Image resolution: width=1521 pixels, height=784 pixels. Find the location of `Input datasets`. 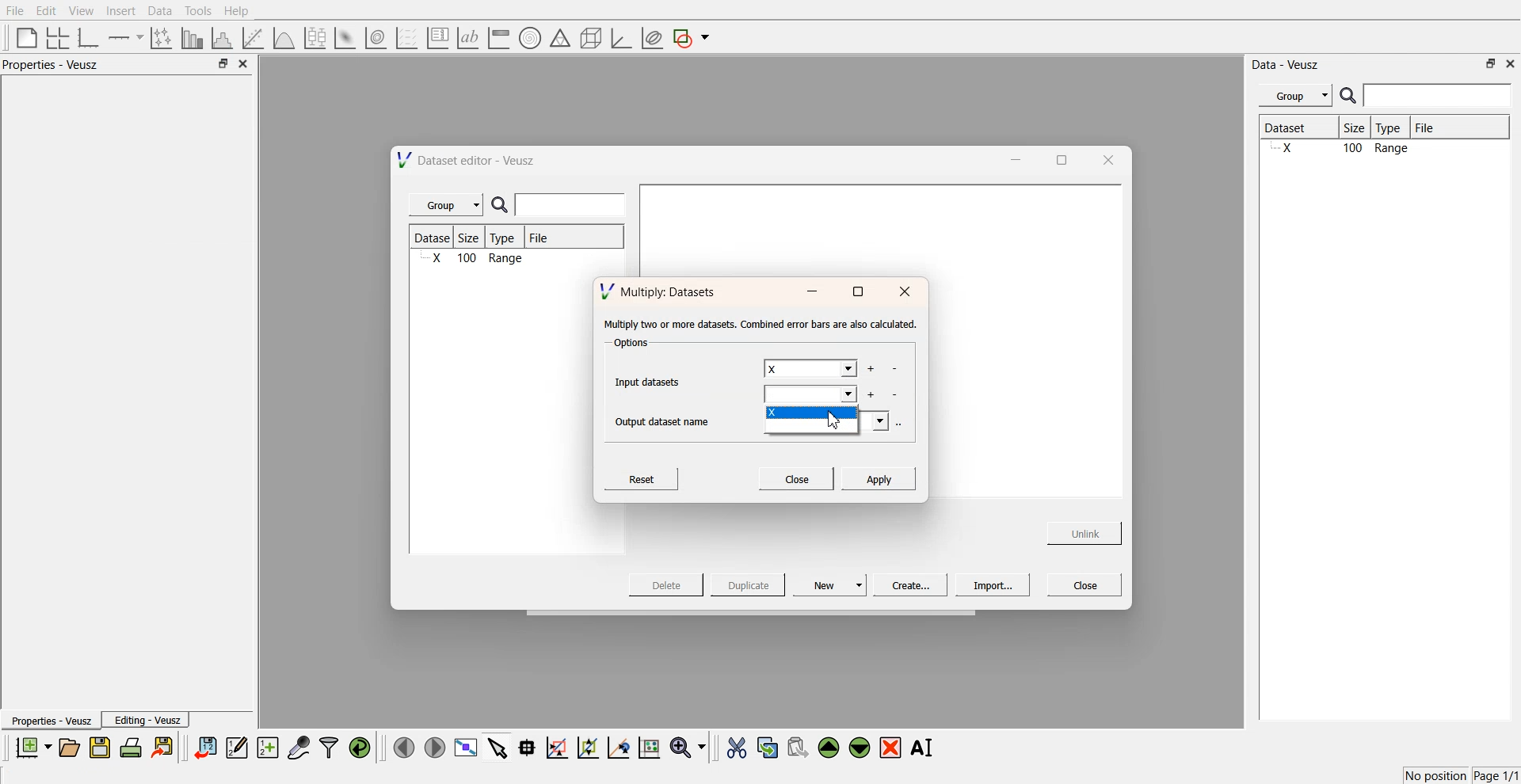

Input datasets is located at coordinates (651, 380).